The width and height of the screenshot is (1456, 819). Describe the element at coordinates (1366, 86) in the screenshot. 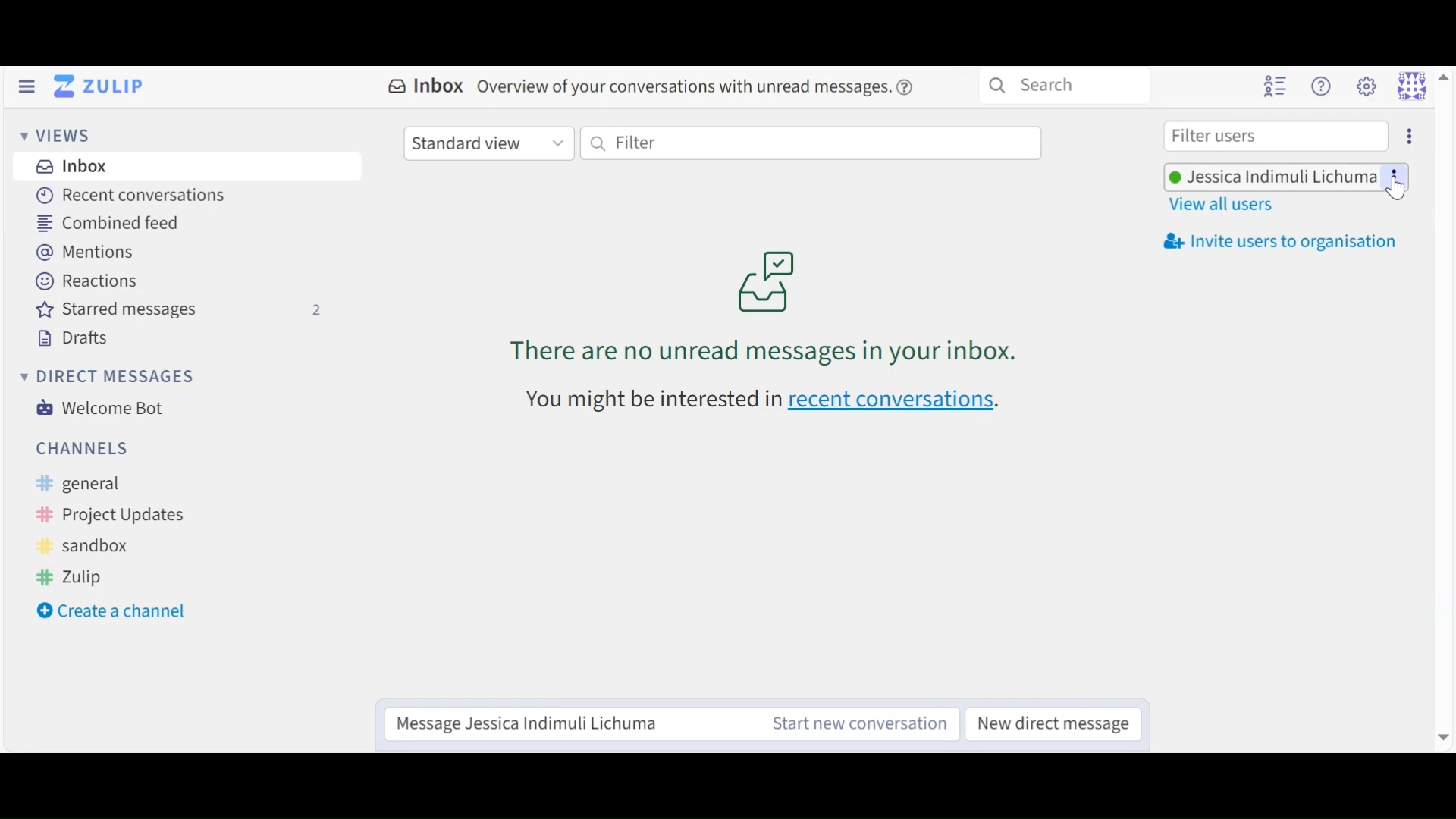

I see `Main menu` at that location.